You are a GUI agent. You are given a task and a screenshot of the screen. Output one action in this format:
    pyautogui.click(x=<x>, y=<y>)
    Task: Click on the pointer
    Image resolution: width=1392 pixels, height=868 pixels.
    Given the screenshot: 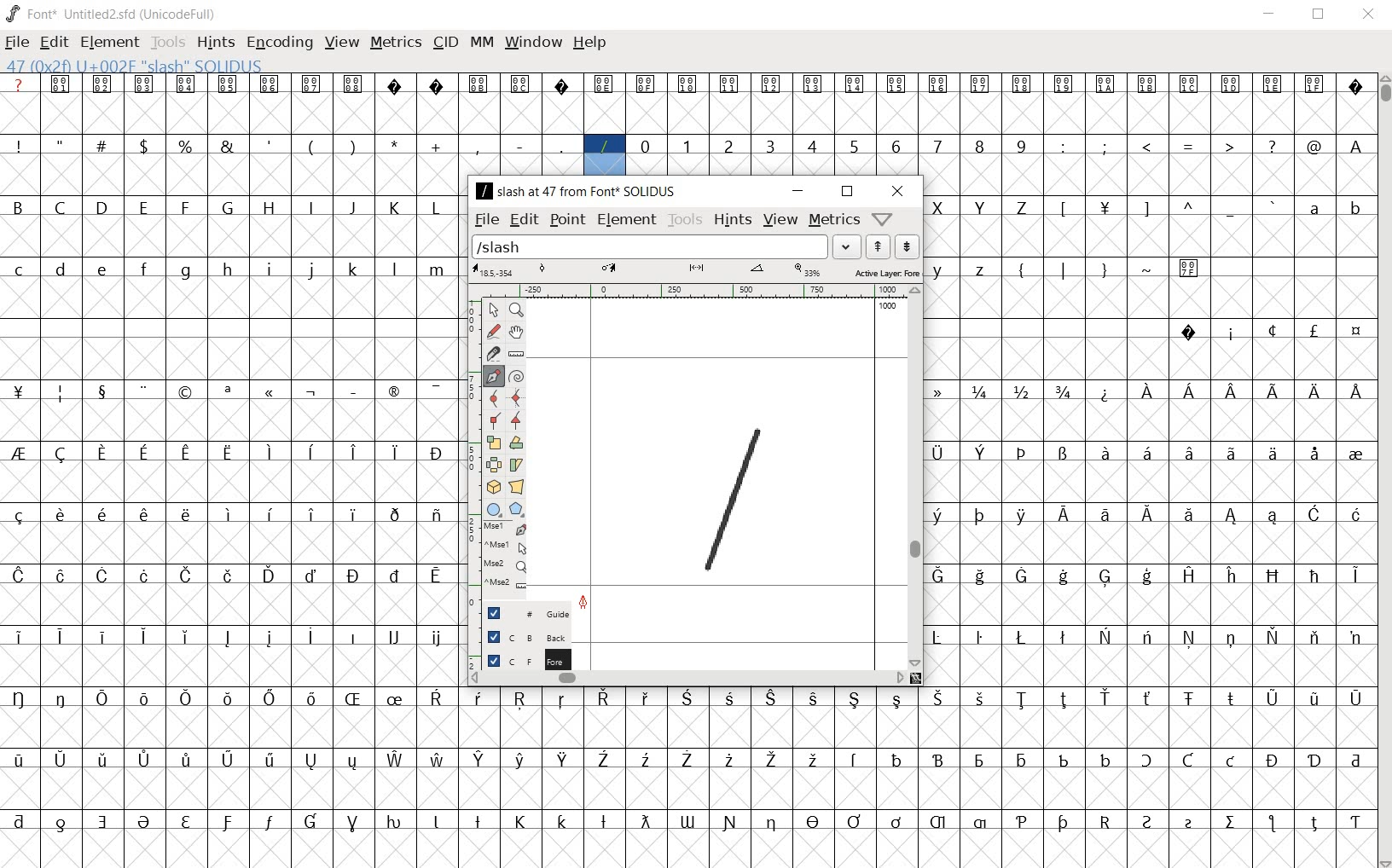 What is the action you would take?
    pyautogui.click(x=492, y=310)
    